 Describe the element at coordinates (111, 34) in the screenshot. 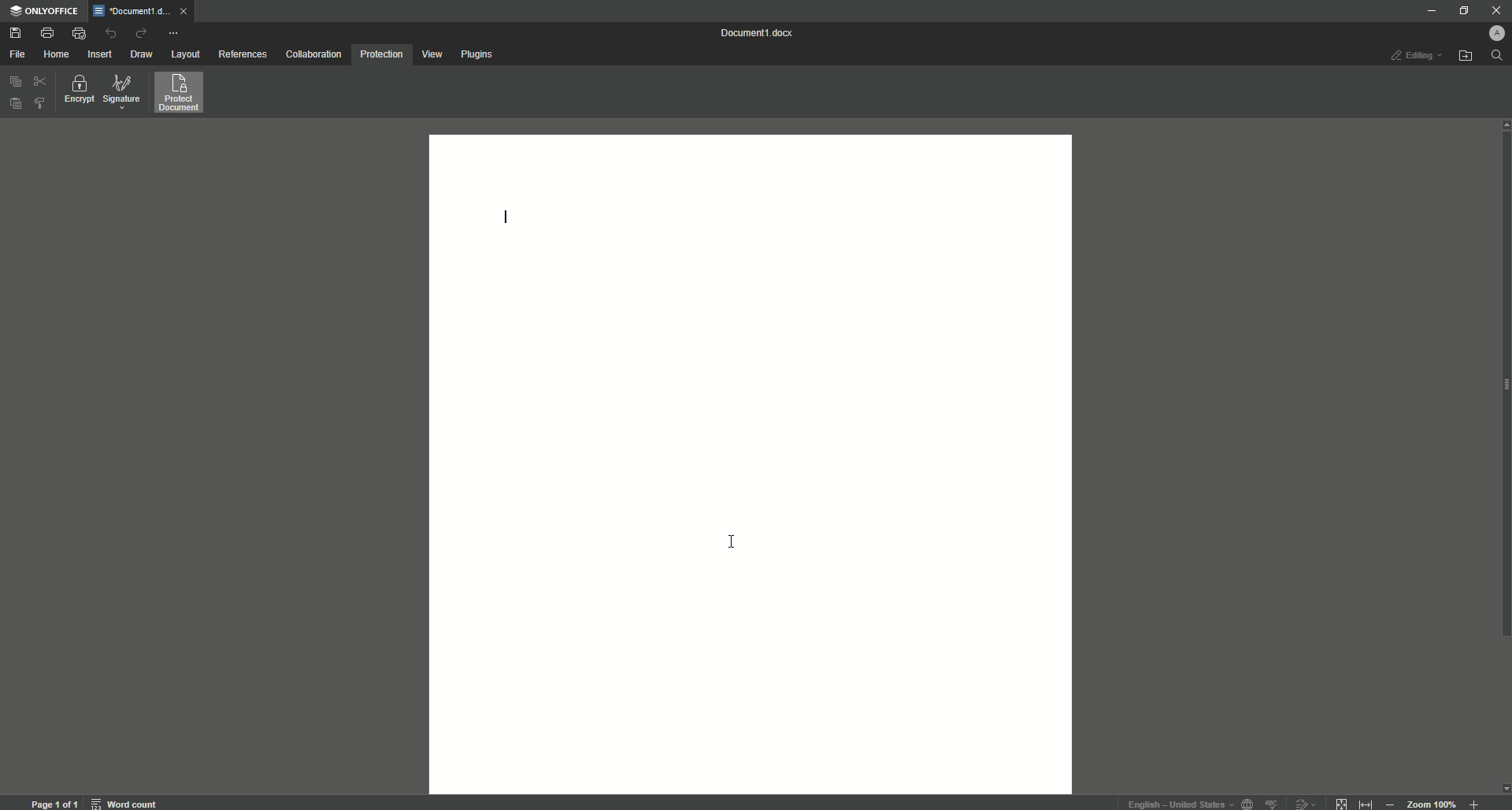

I see `Undo` at that location.